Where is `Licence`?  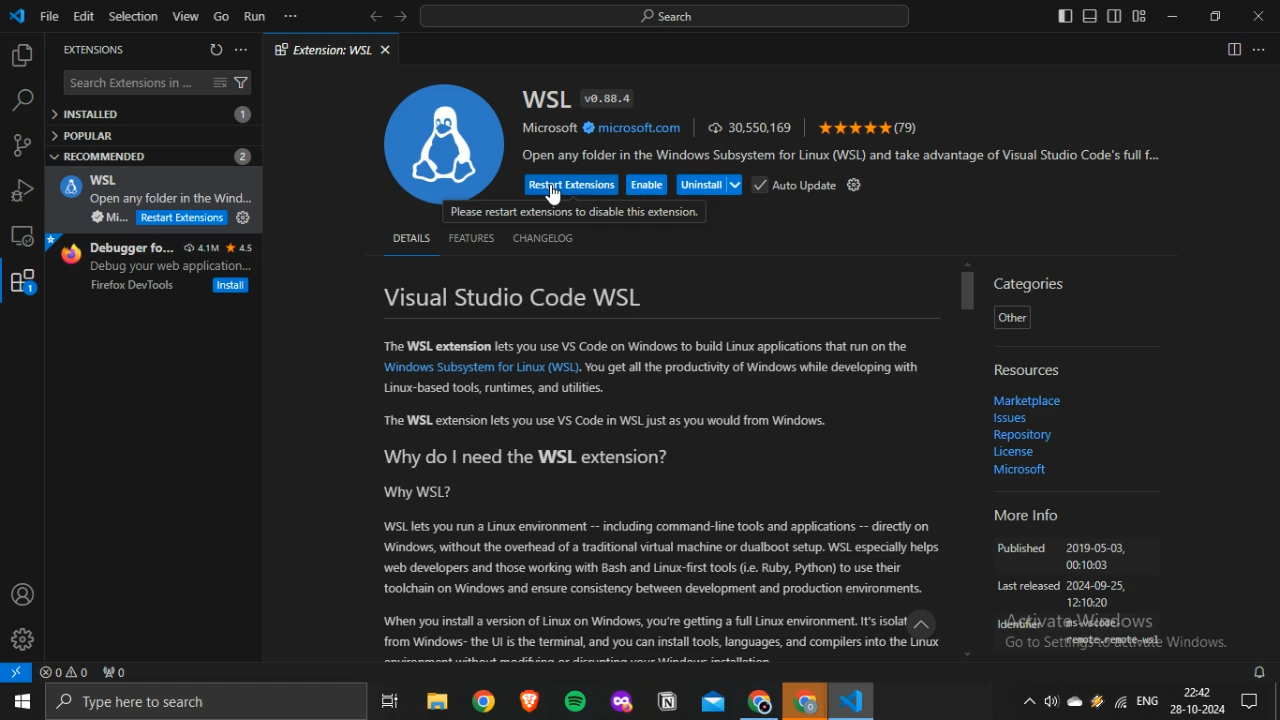
Licence is located at coordinates (1013, 453).